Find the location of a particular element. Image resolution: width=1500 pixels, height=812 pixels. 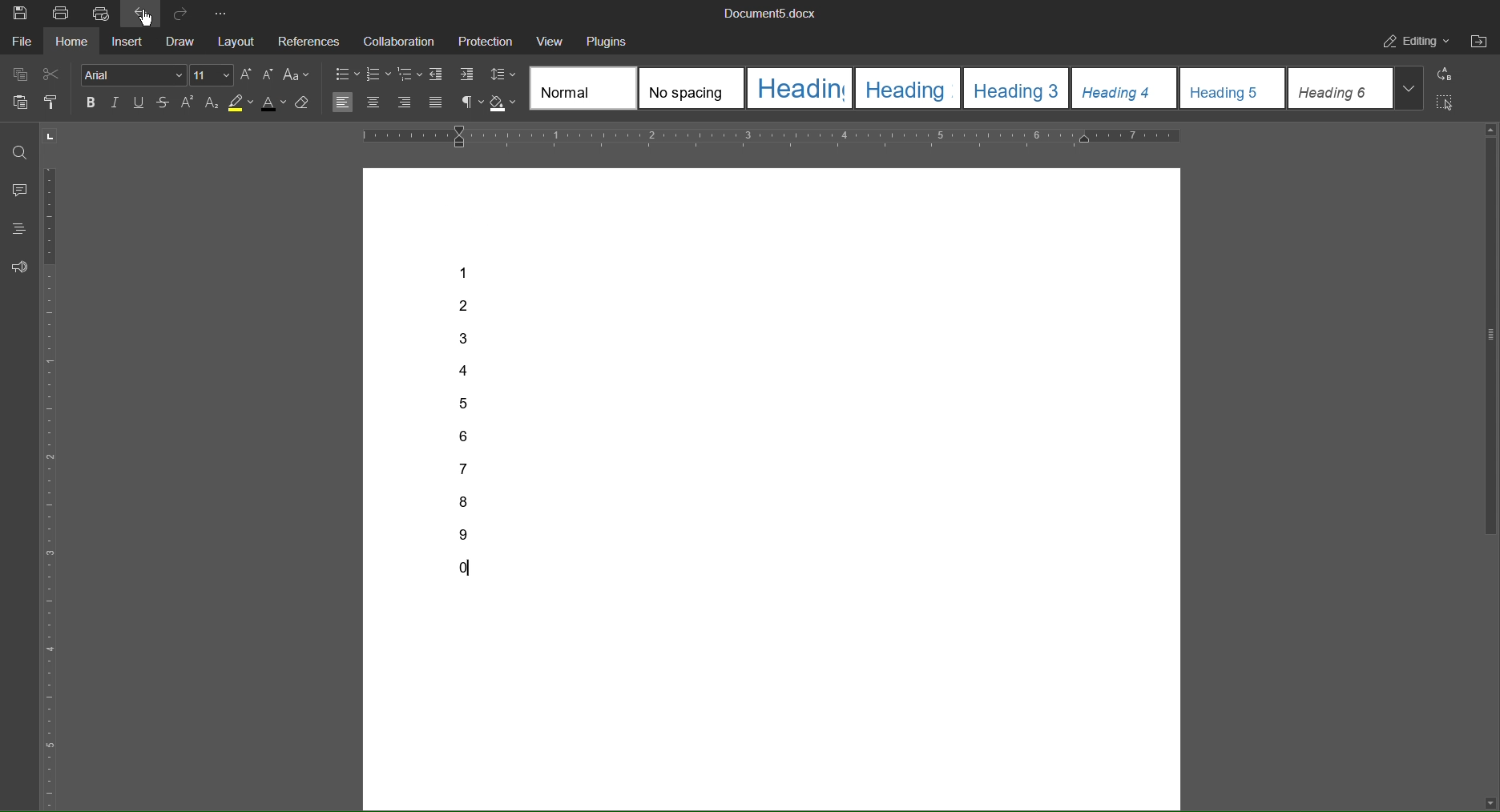

Draw is located at coordinates (181, 41).